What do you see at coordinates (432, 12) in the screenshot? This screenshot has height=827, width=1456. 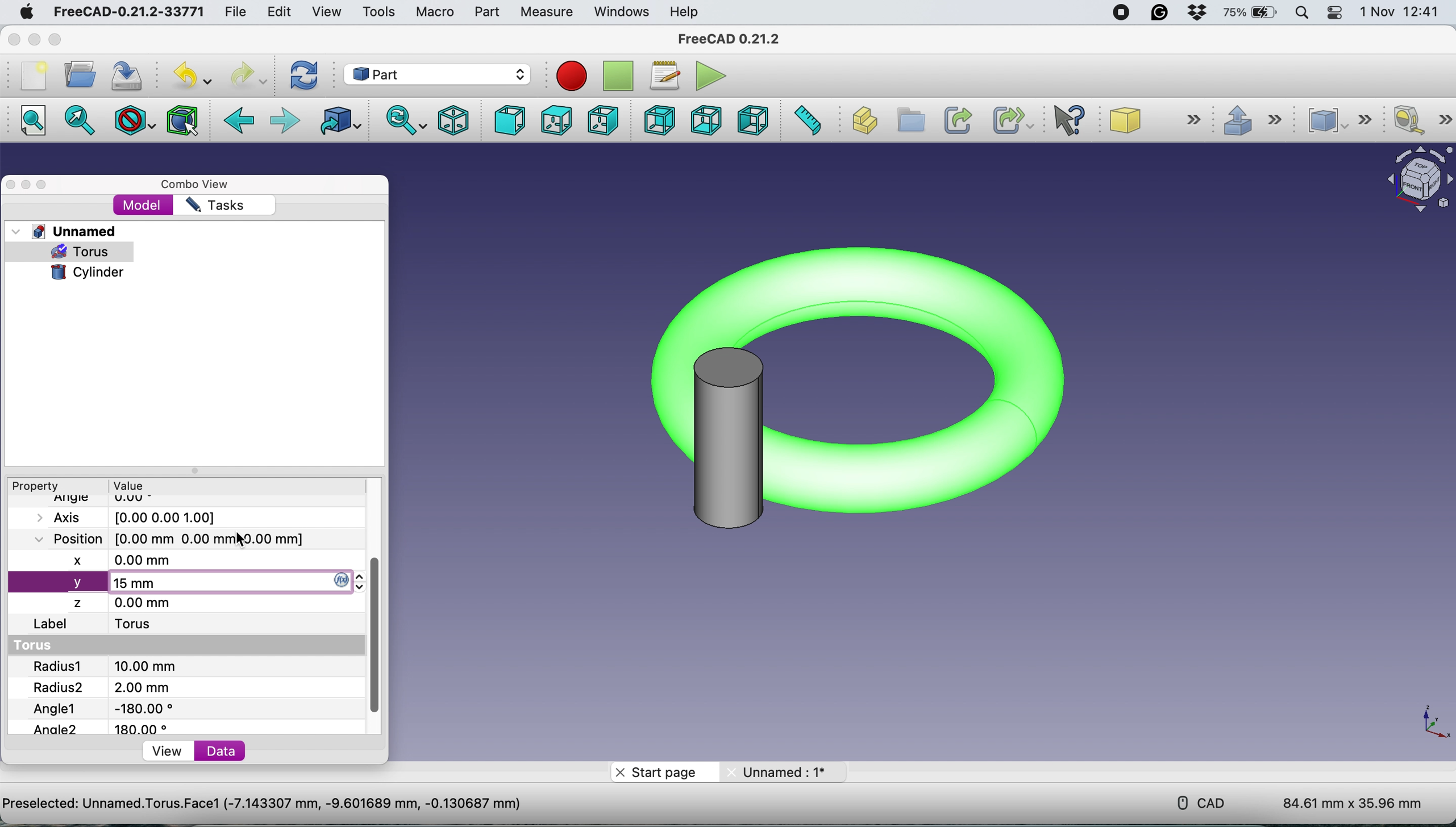 I see `macro` at bounding box center [432, 12].